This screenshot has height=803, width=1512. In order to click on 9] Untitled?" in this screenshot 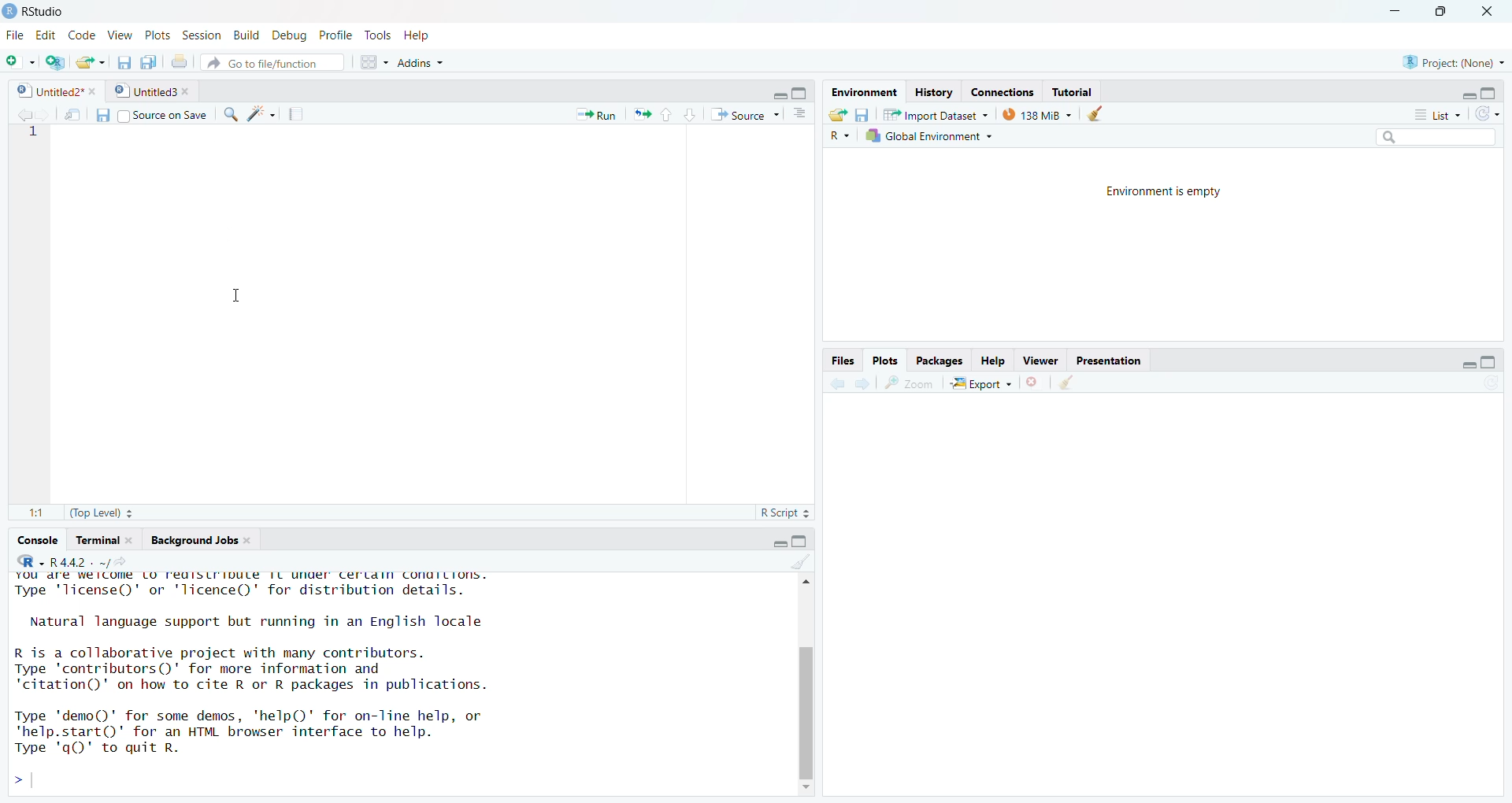, I will do `click(48, 92)`.